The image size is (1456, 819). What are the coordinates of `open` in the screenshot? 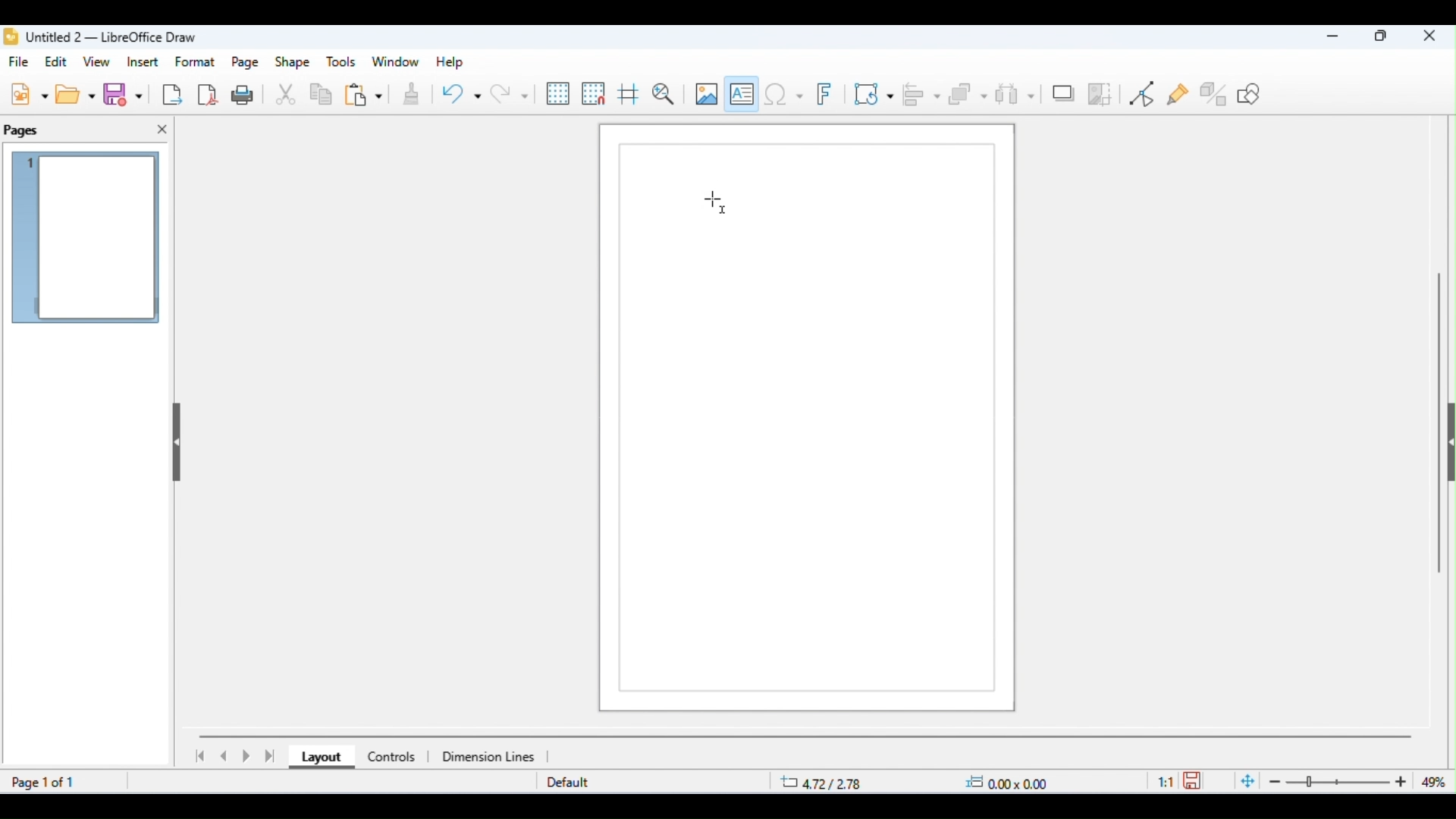 It's located at (77, 94).